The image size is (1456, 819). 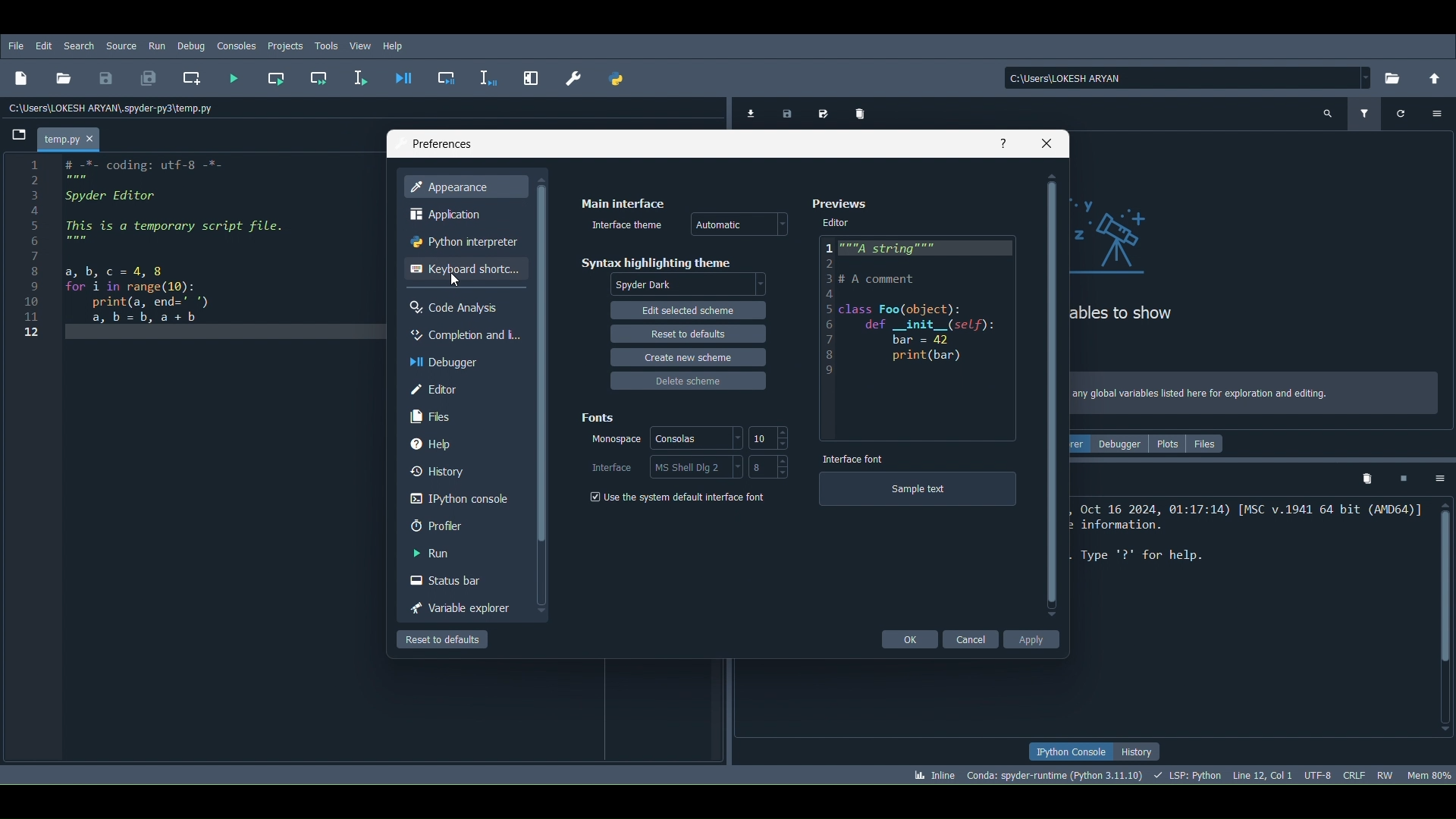 What do you see at coordinates (192, 47) in the screenshot?
I see `Debug` at bounding box center [192, 47].